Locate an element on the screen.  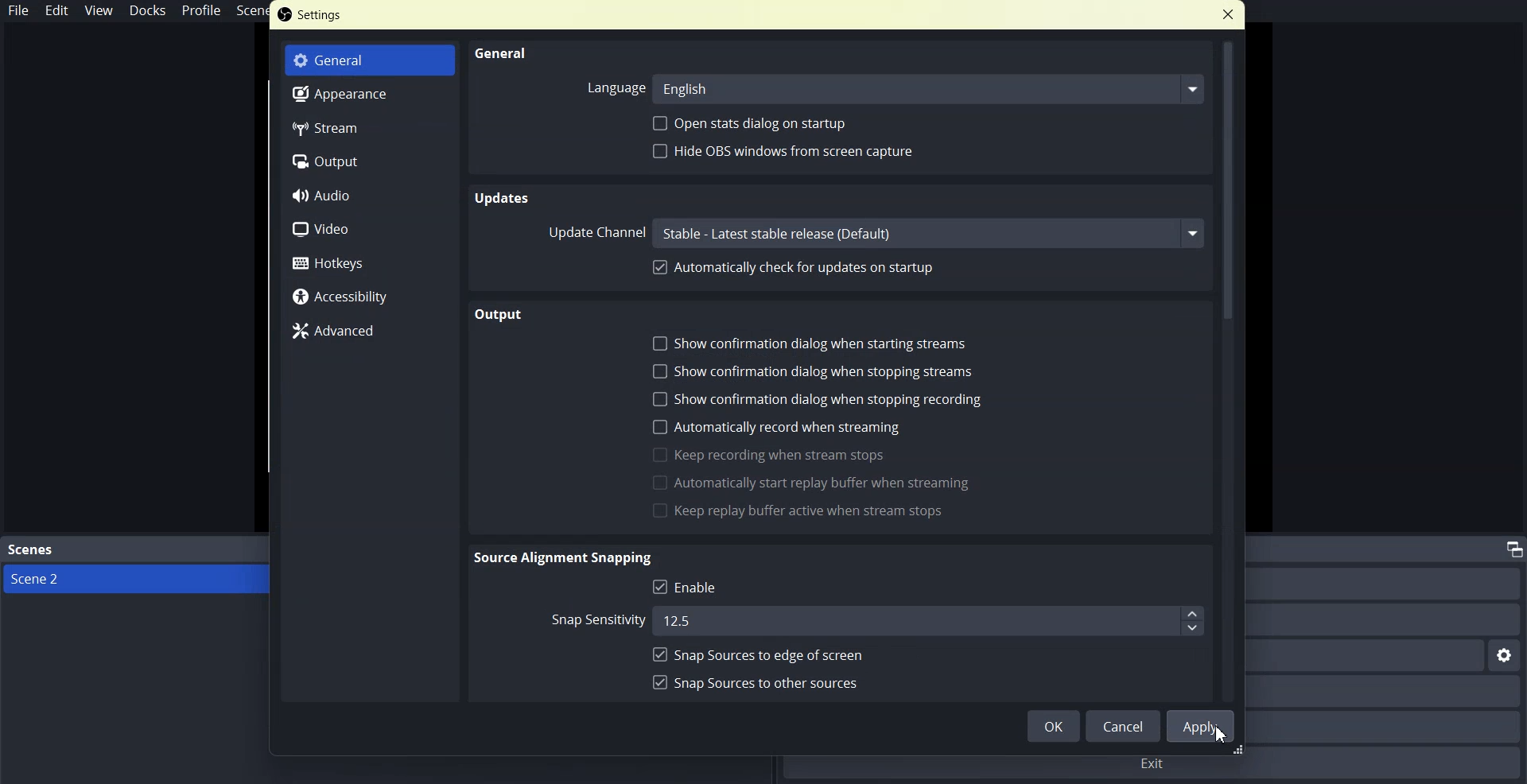
cancel is located at coordinates (1123, 726).